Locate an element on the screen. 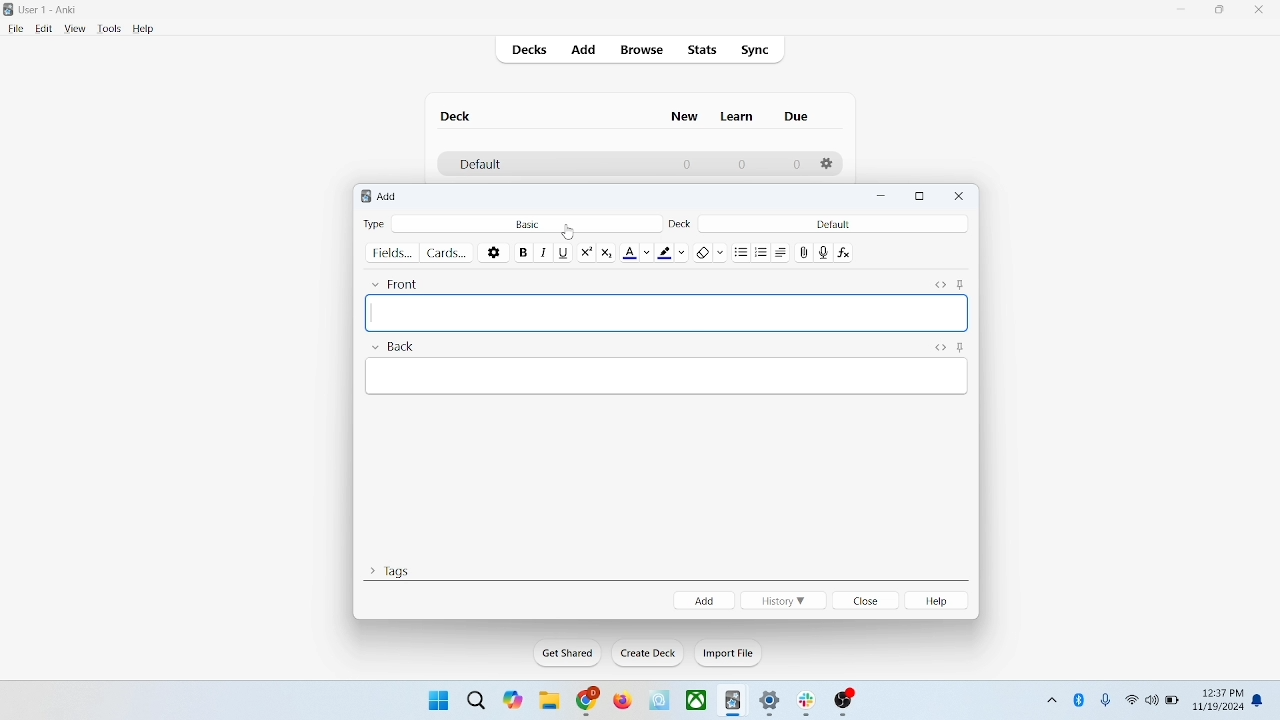 The height and width of the screenshot is (720, 1280). speaker is located at coordinates (1152, 699).